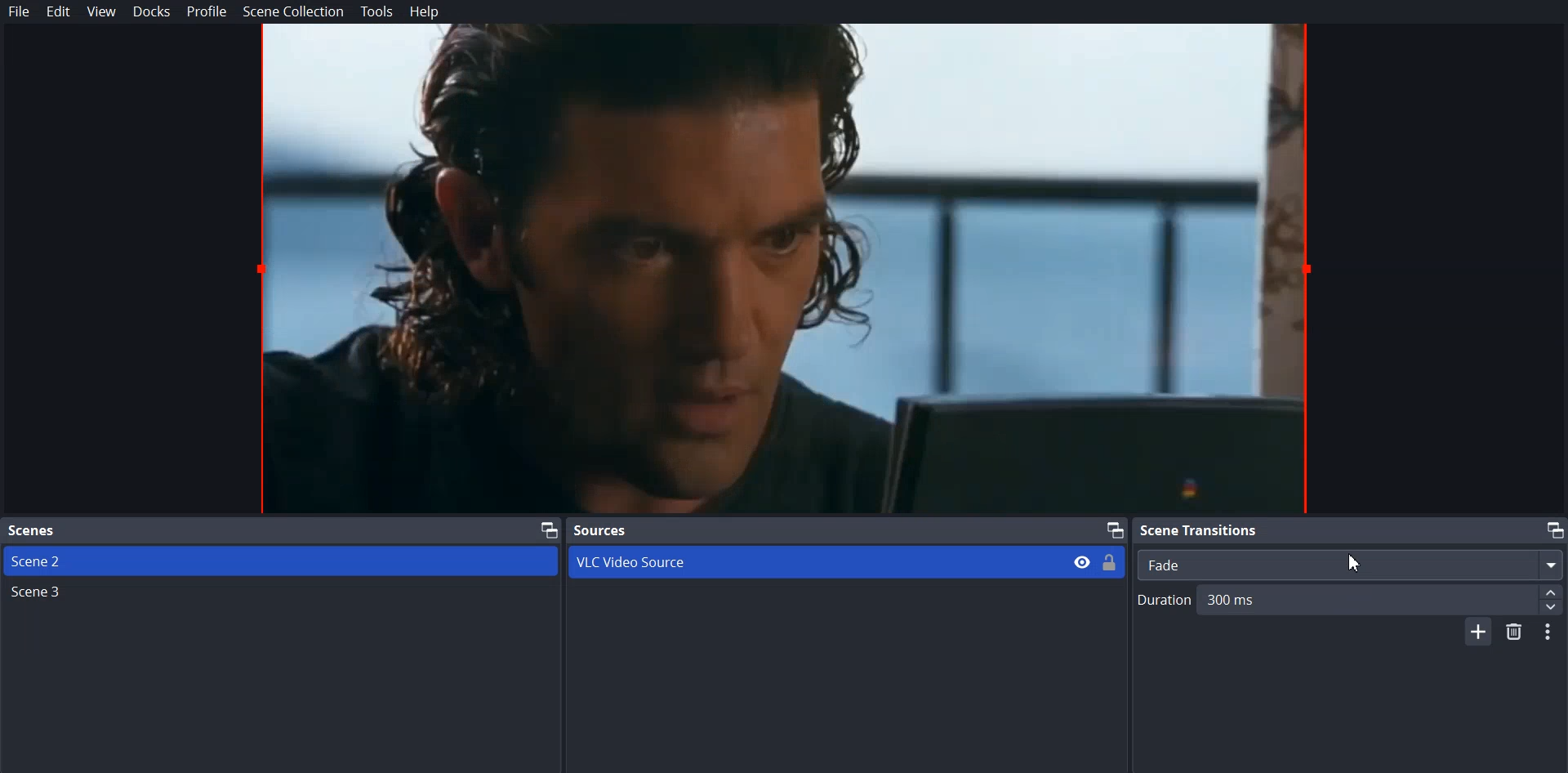 This screenshot has width=1568, height=773. Describe the element at coordinates (1552, 632) in the screenshot. I see `Transition Properties` at that location.